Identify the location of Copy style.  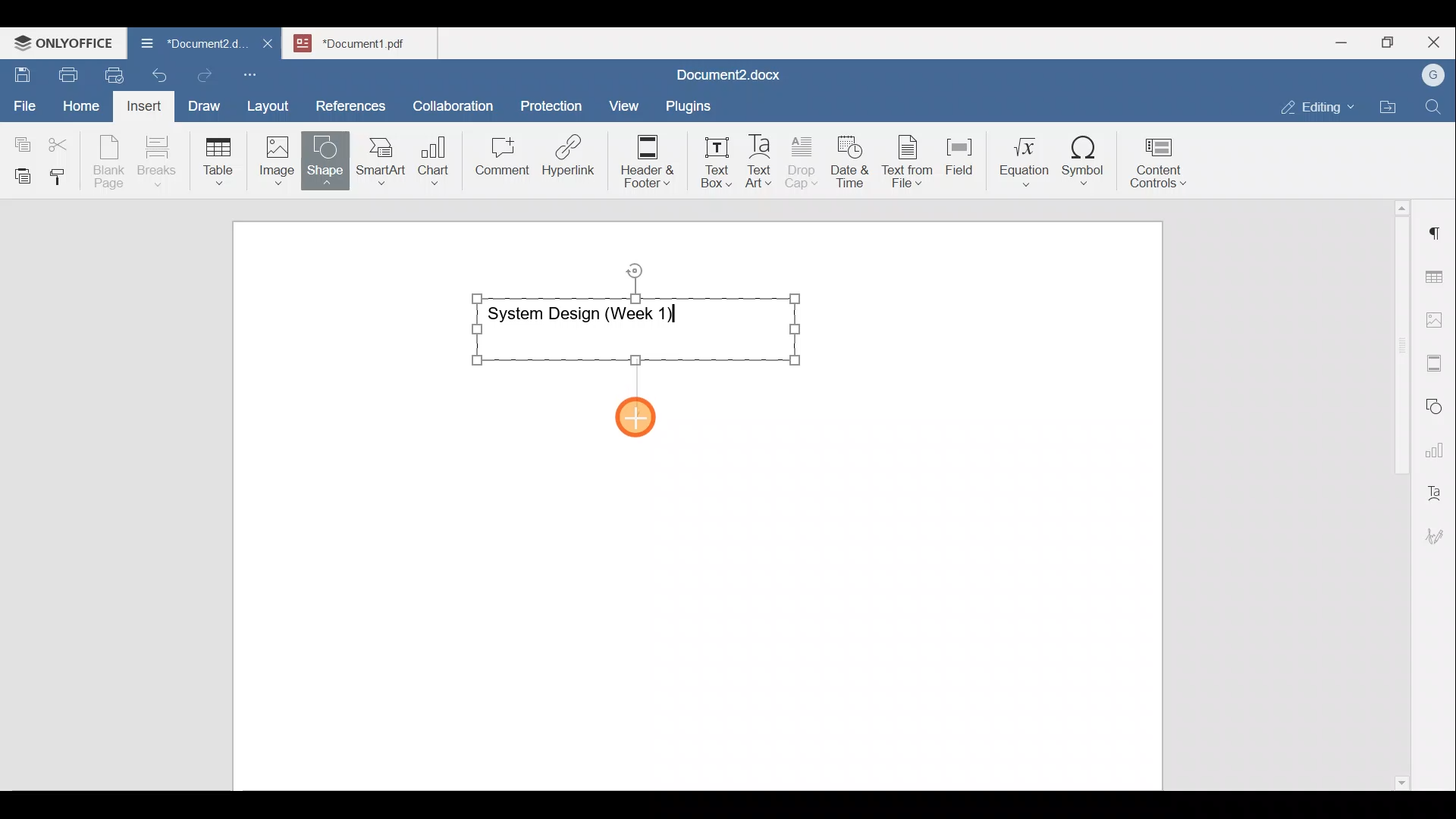
(63, 173).